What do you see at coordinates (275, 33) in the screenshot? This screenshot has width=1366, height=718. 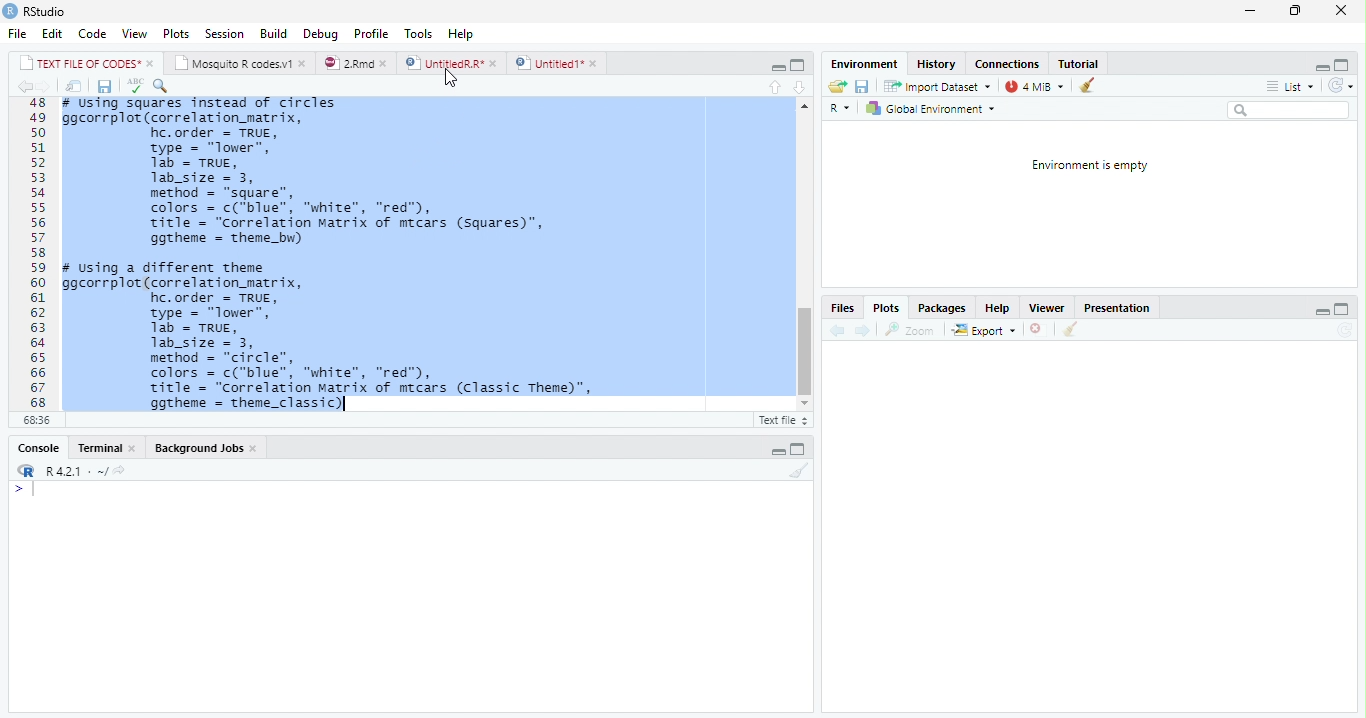 I see `Build` at bounding box center [275, 33].